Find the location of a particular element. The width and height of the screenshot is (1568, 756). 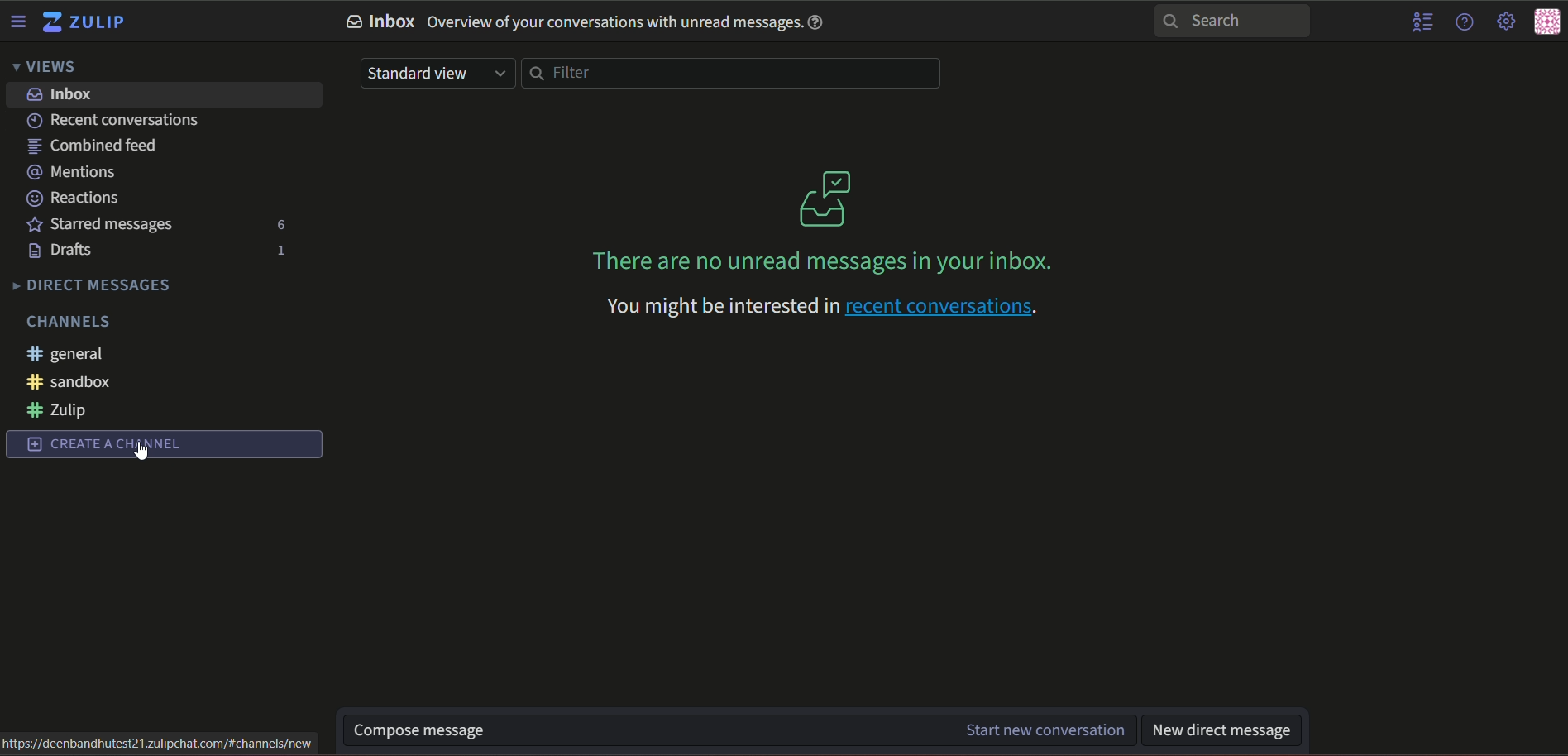

views is located at coordinates (50, 68).